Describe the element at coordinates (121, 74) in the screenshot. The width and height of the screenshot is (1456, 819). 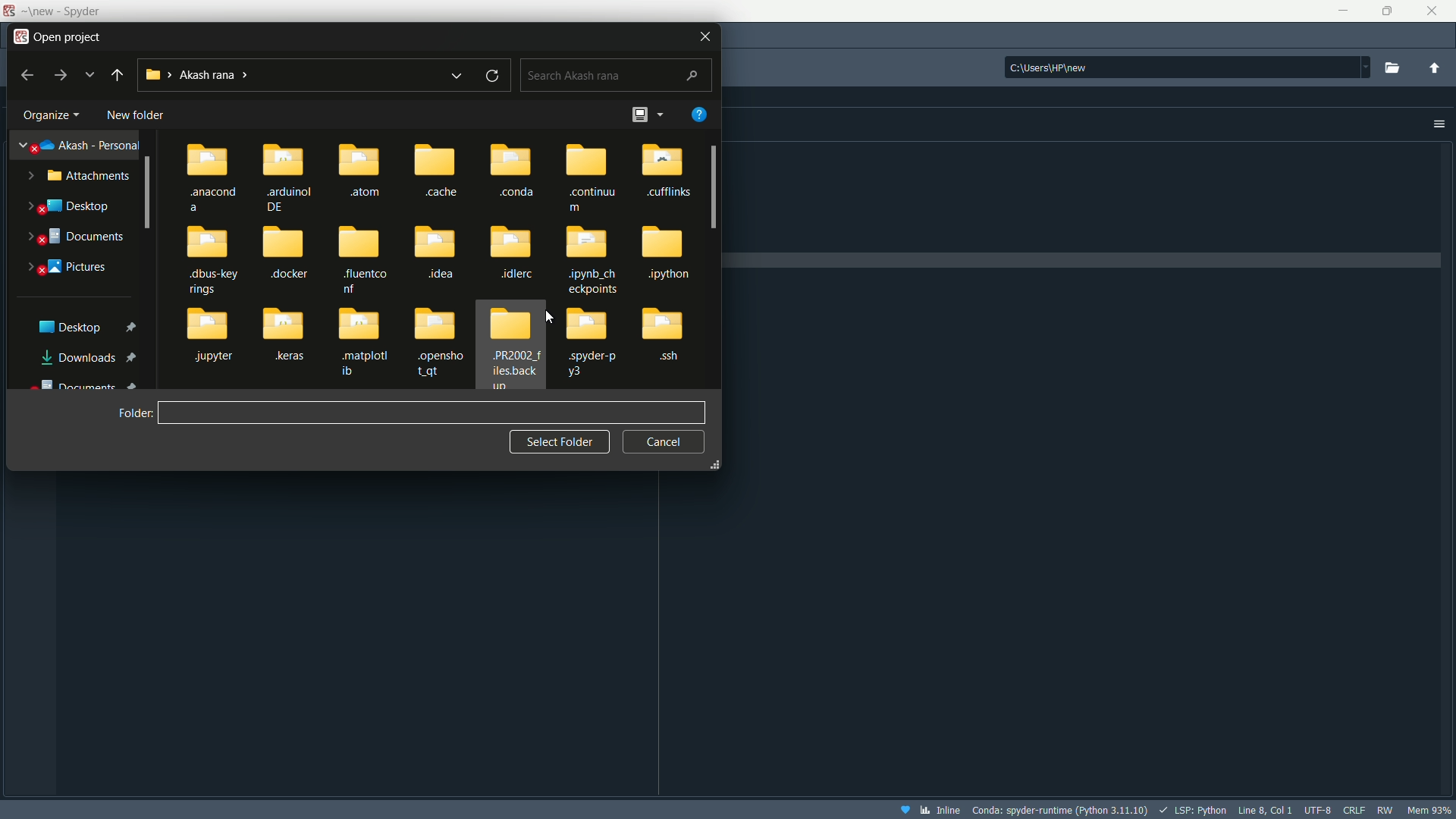
I see `back` at that location.